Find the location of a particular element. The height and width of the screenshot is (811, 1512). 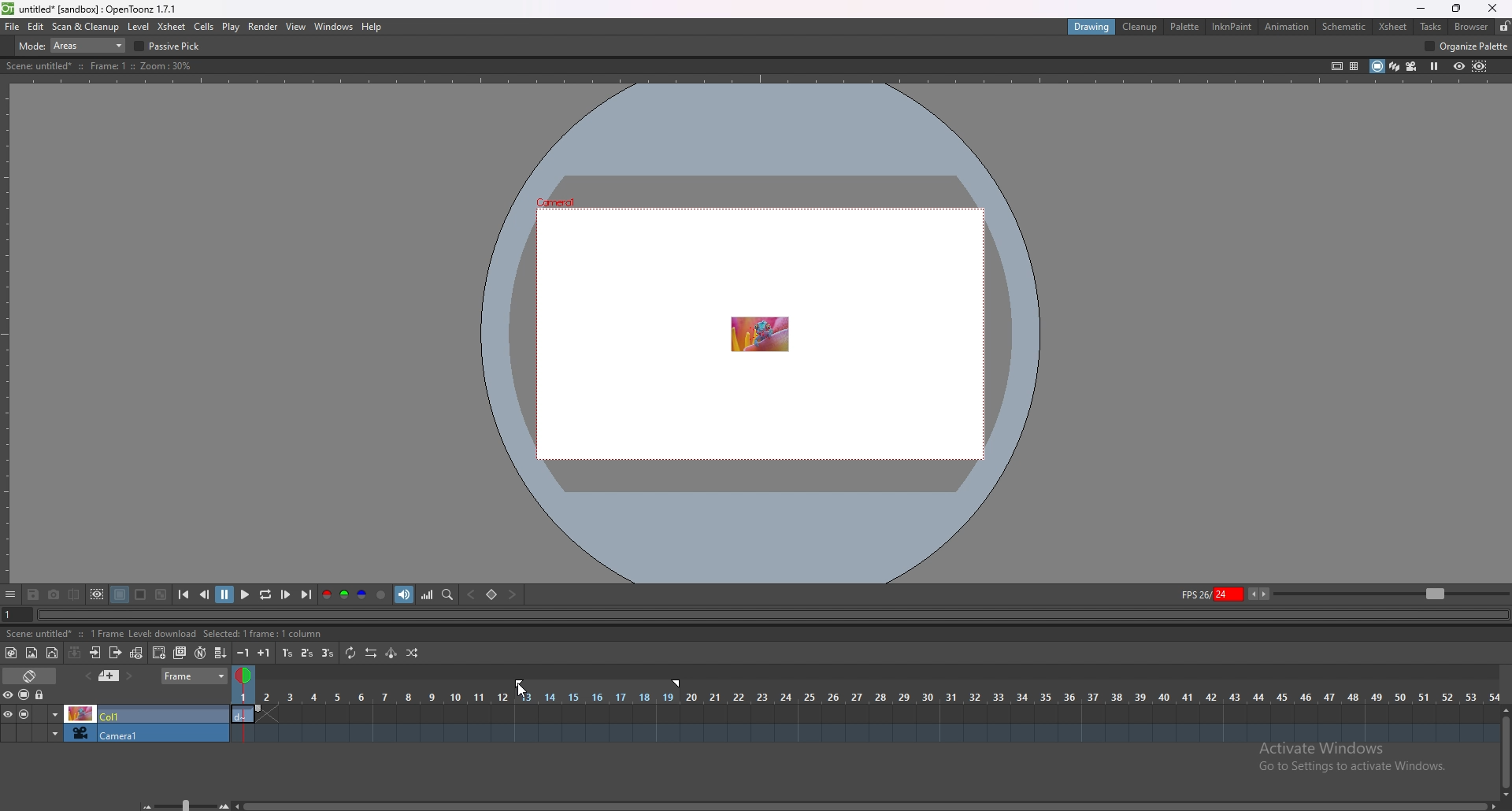

new vector level is located at coordinates (52, 653).